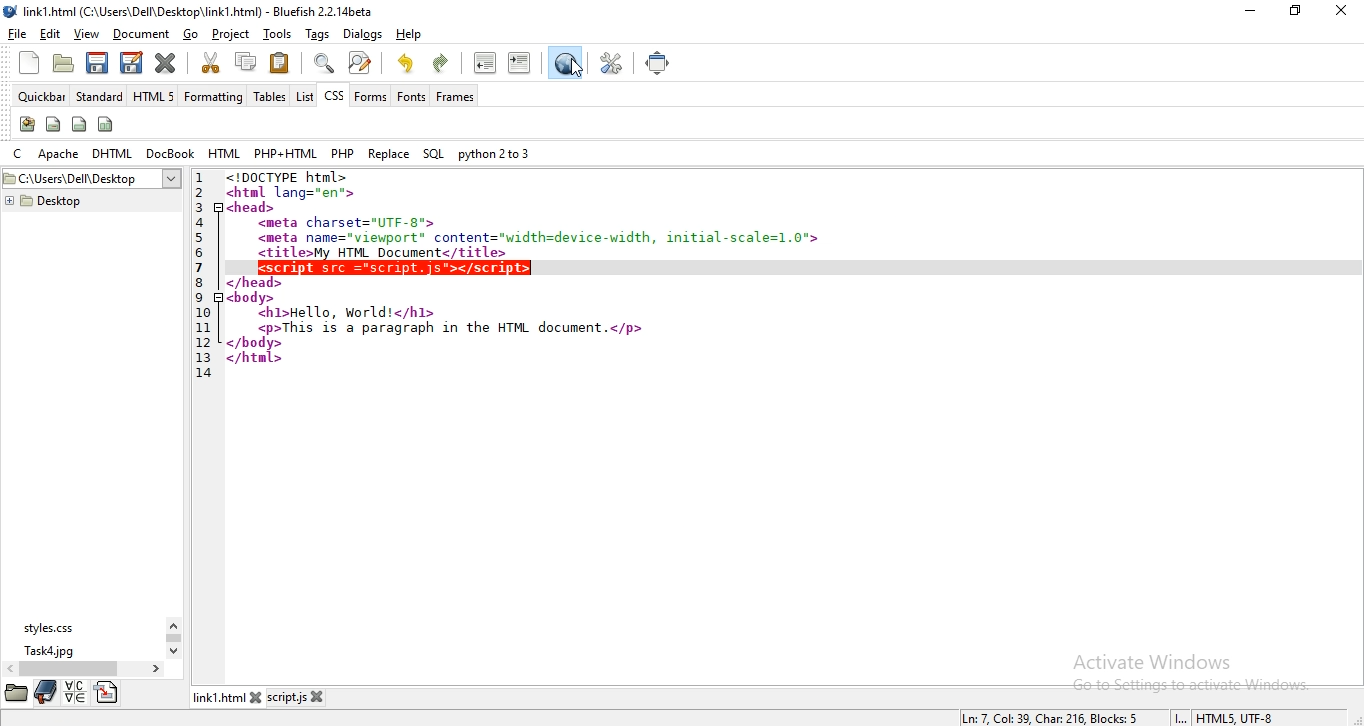 The image size is (1364, 726). What do you see at coordinates (99, 95) in the screenshot?
I see `standard` at bounding box center [99, 95].